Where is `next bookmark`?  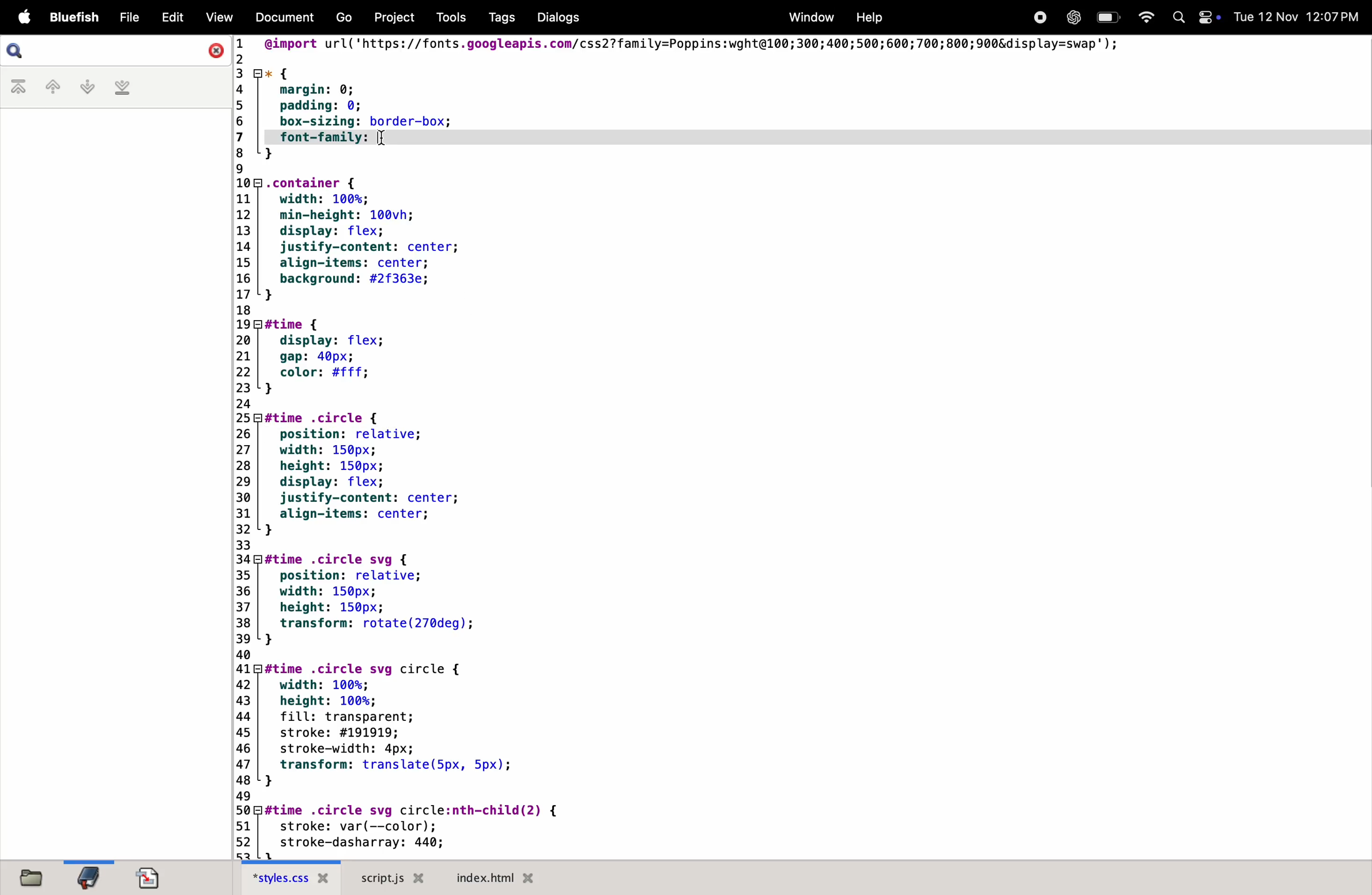
next bookmark is located at coordinates (82, 87).